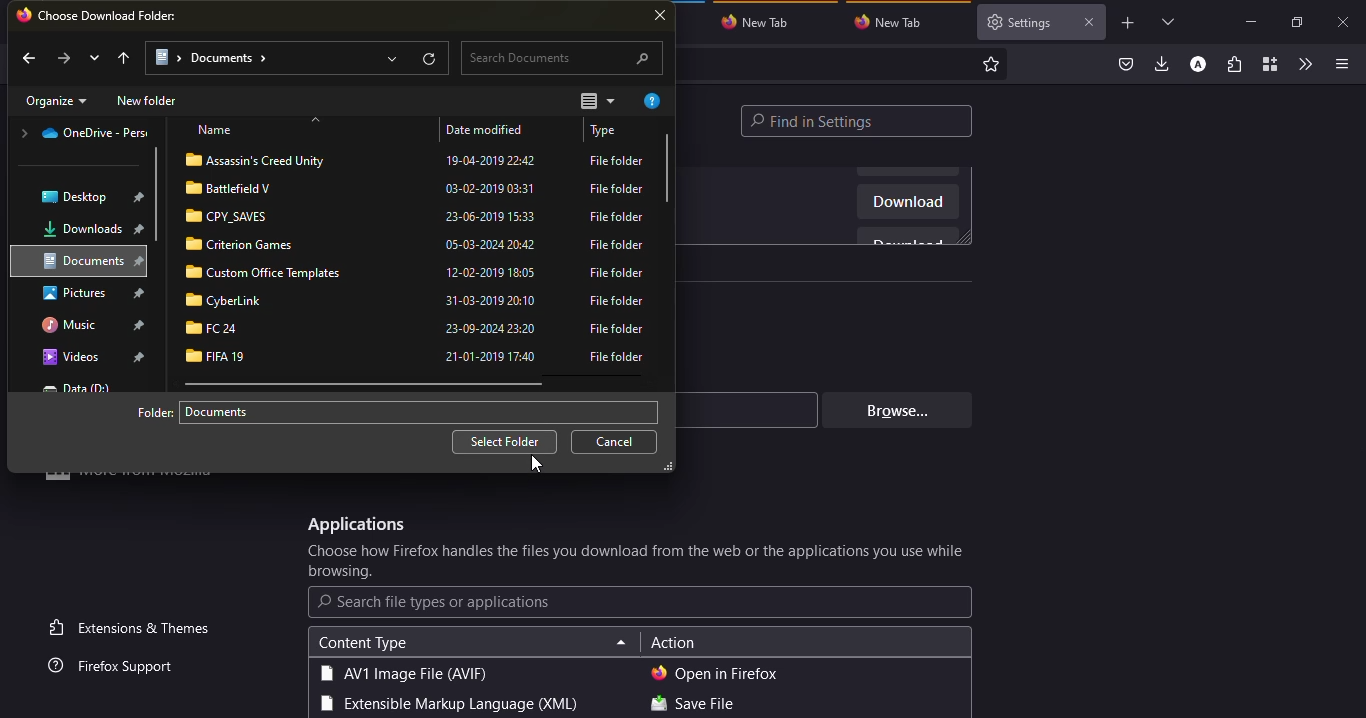 The image size is (1366, 718). Describe the element at coordinates (133, 627) in the screenshot. I see `themes` at that location.